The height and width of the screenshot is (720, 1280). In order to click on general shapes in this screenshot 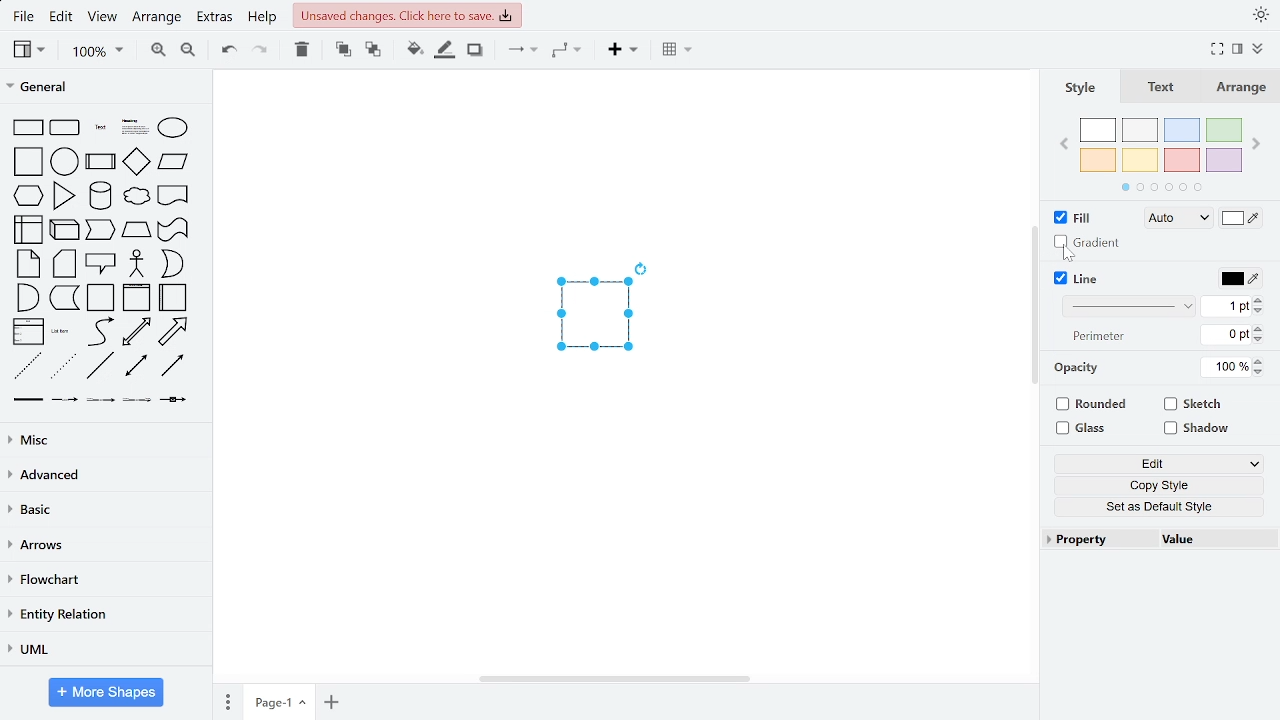, I will do `click(171, 263)`.